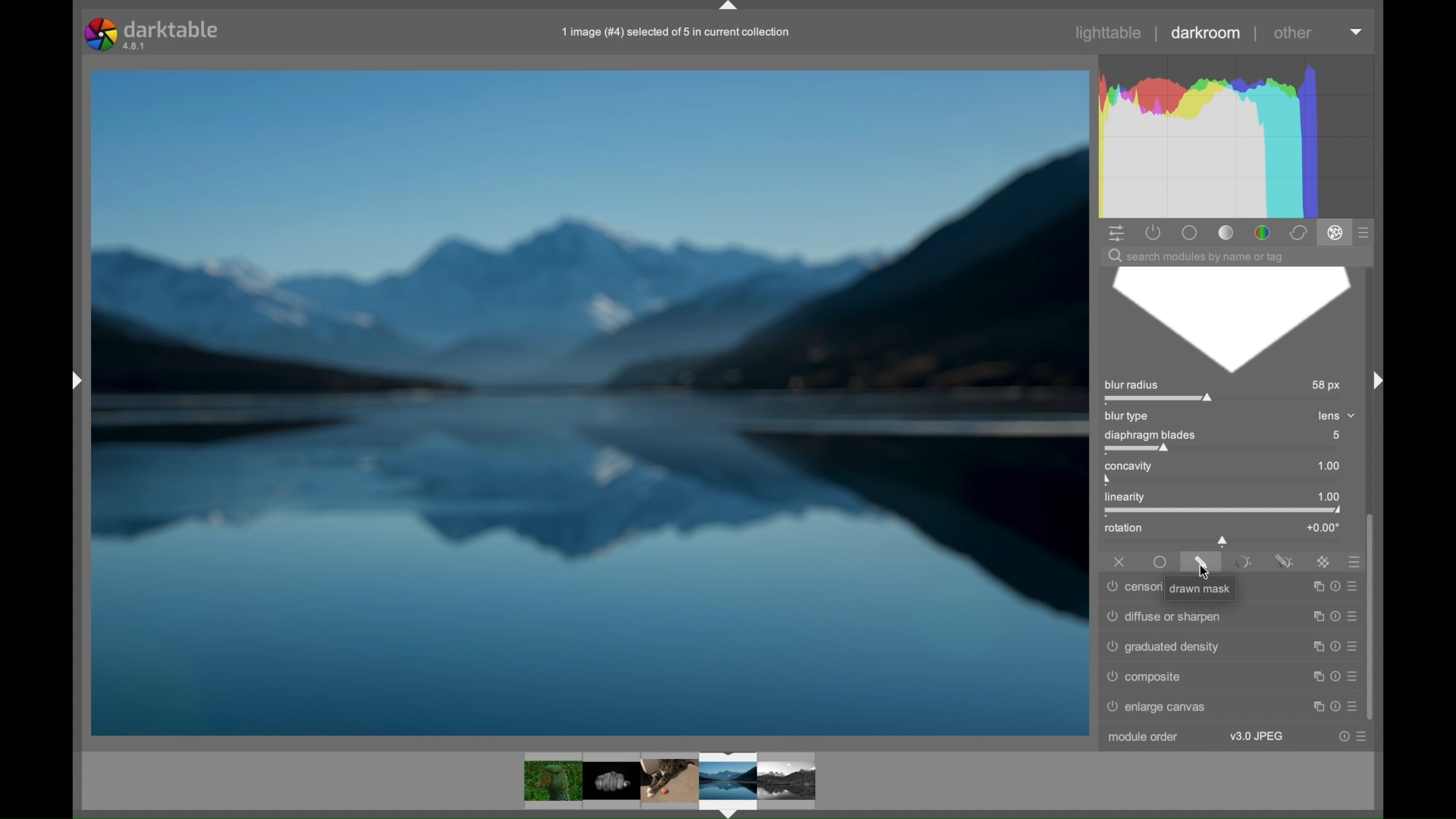 Image resolution: width=1456 pixels, height=819 pixels. Describe the element at coordinates (1314, 613) in the screenshot. I see `maximize` at that location.